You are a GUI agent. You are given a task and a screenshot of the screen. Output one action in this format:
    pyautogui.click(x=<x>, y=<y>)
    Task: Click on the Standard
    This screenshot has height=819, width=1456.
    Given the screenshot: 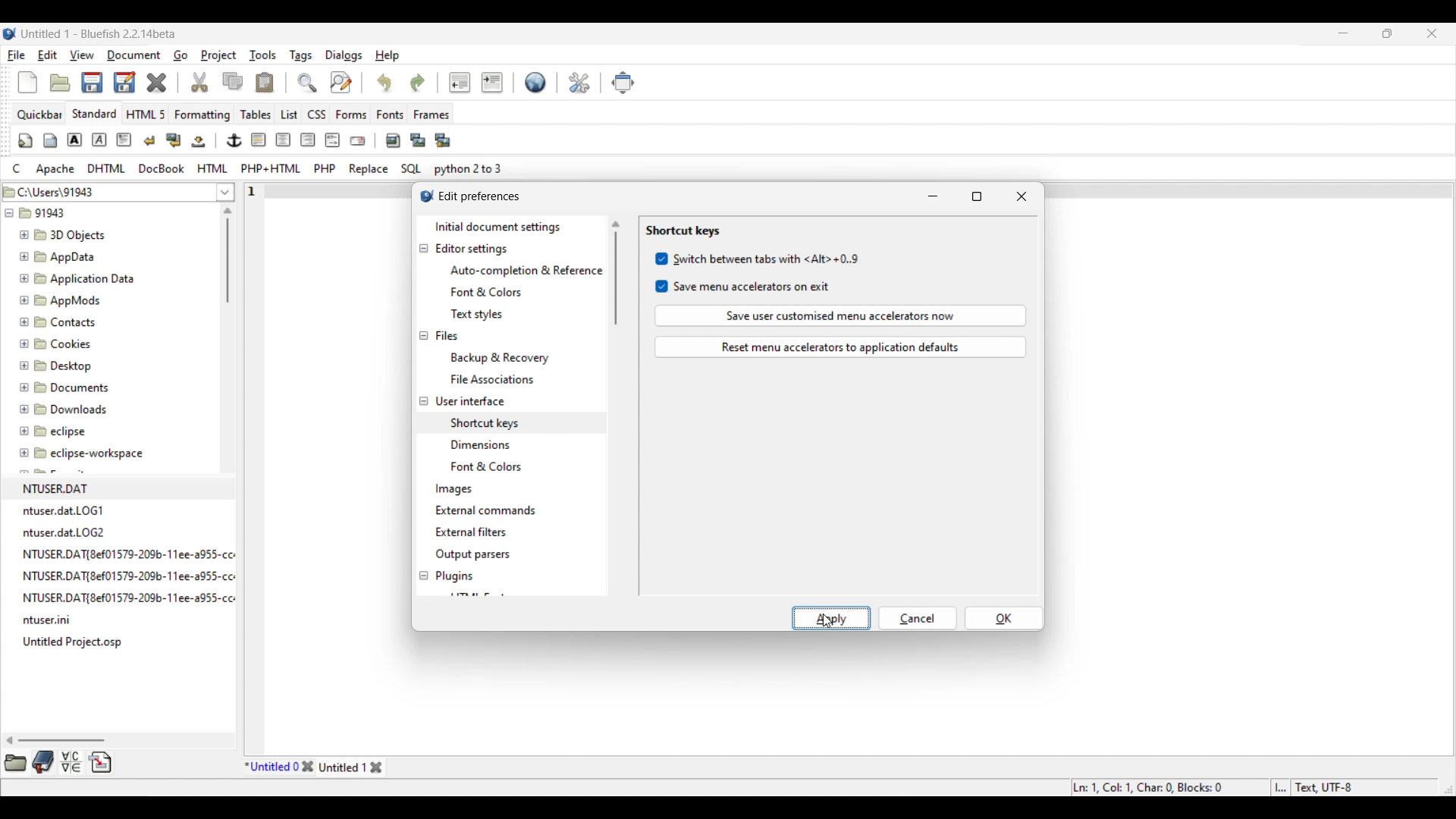 What is the action you would take?
    pyautogui.click(x=94, y=113)
    